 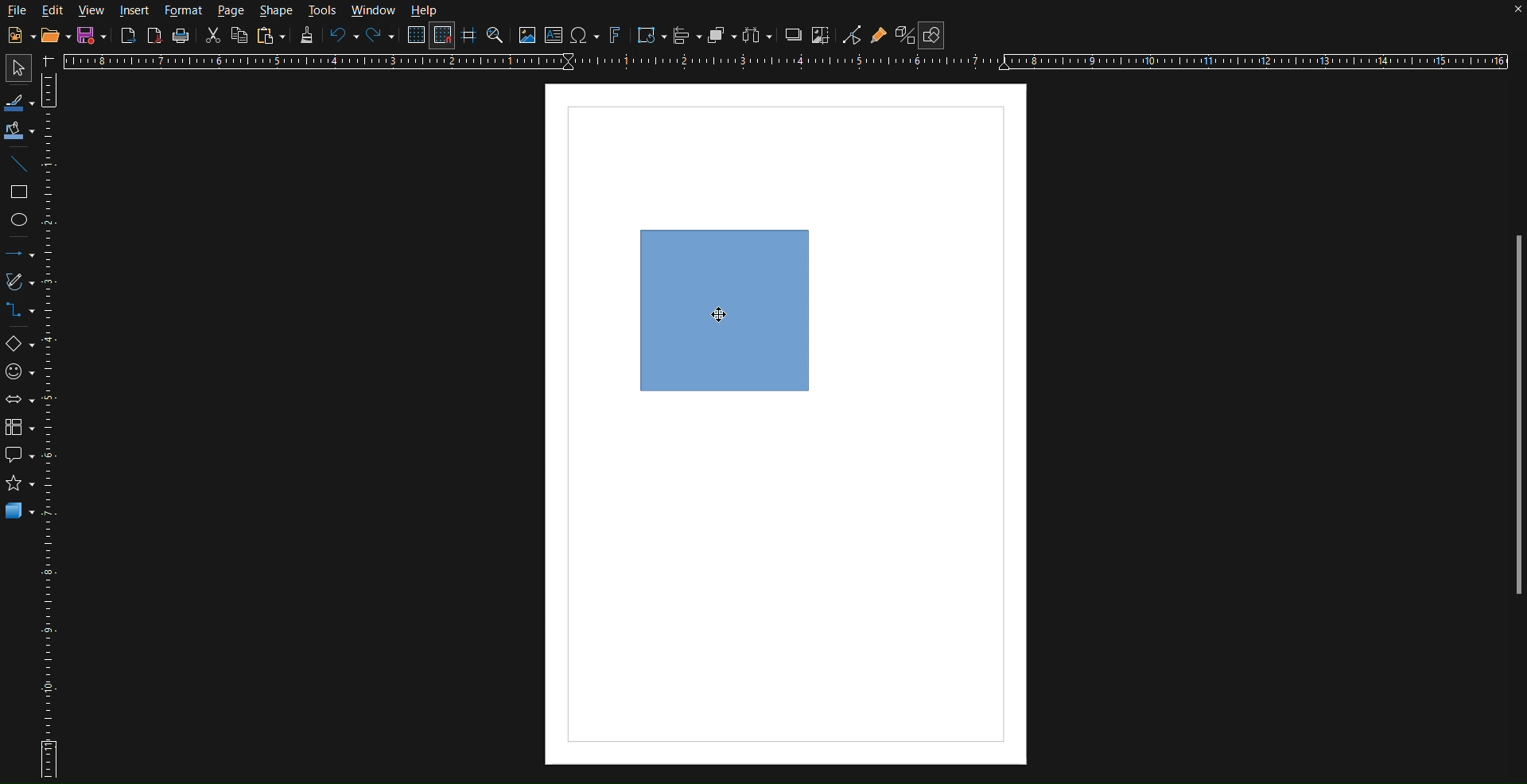 I want to click on Square (flat fill), so click(x=724, y=309).